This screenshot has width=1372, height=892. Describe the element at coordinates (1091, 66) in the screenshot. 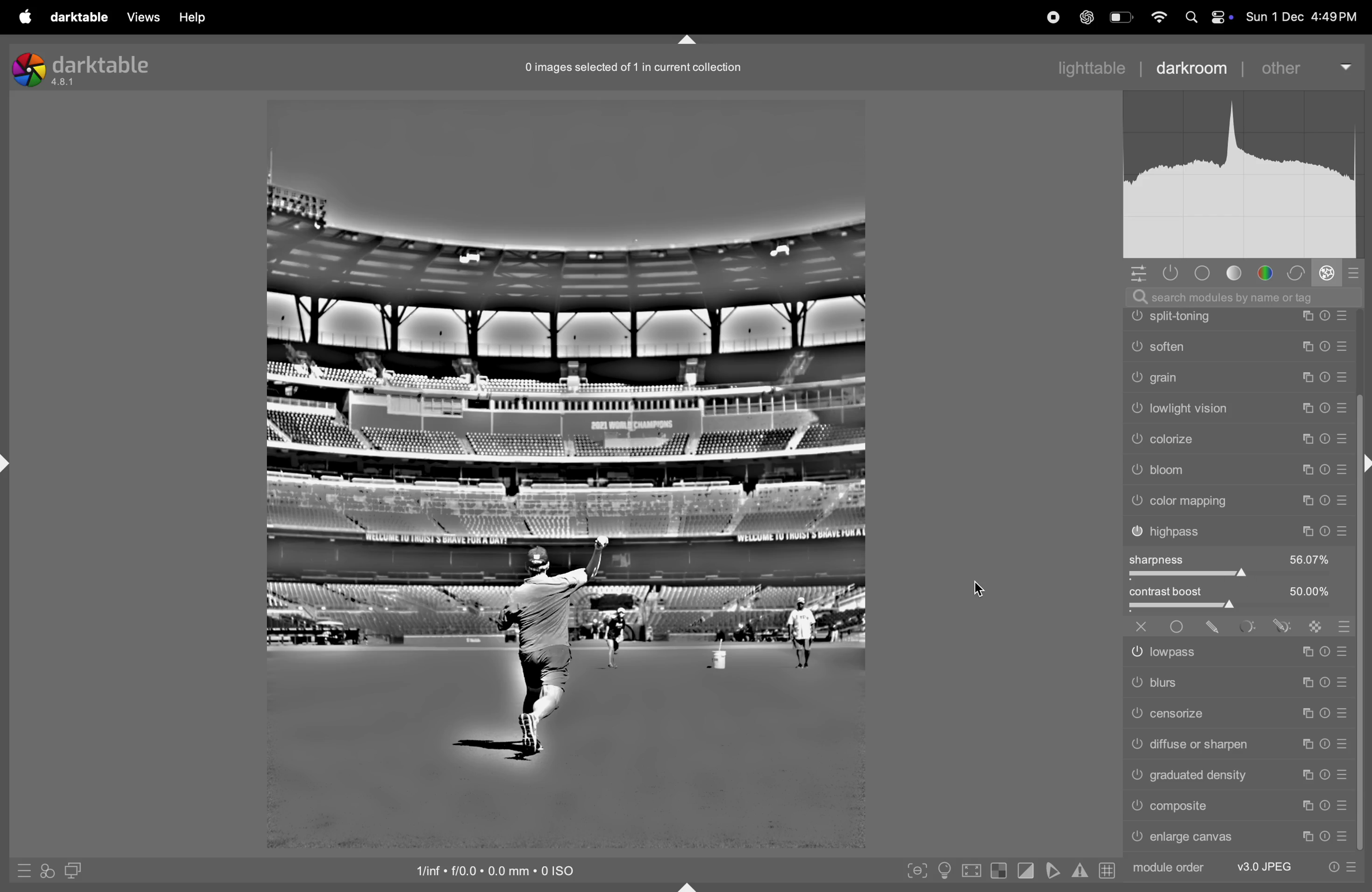

I see `lighttable` at that location.